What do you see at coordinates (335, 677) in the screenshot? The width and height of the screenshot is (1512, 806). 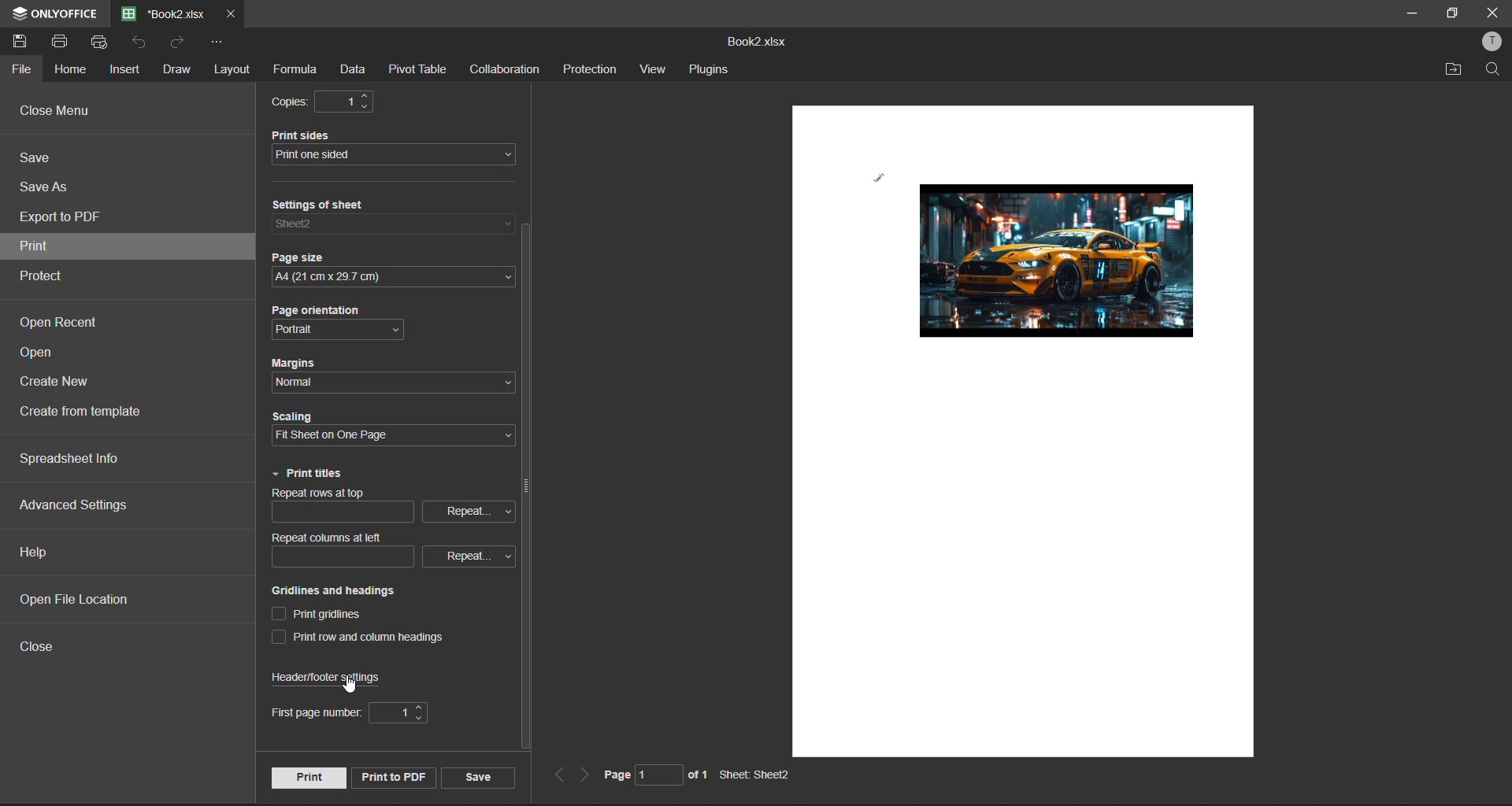 I see `header/footer settings` at bounding box center [335, 677].